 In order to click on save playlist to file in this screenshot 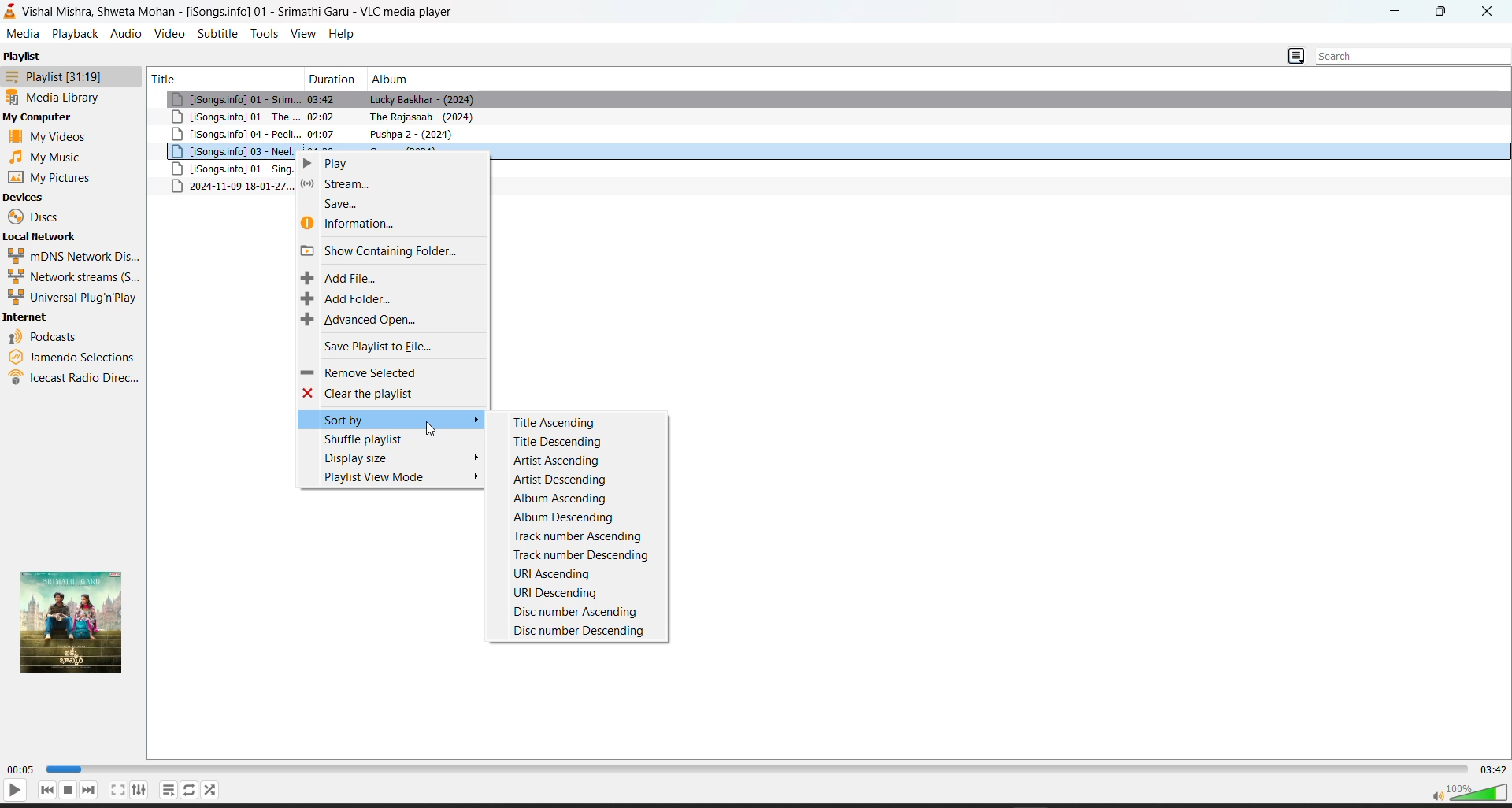, I will do `click(393, 345)`.